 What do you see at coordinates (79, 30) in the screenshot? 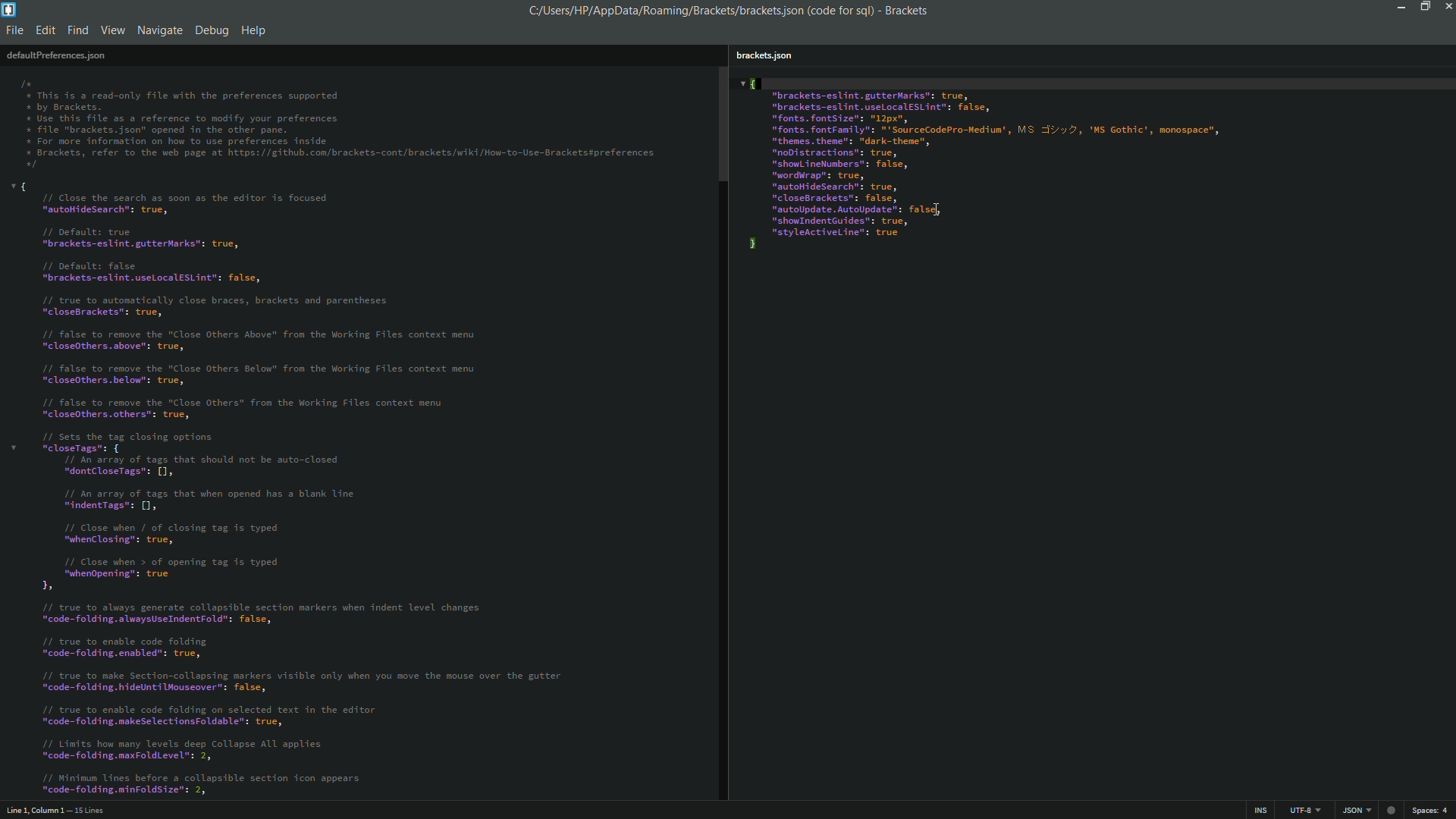
I see `find menu` at bounding box center [79, 30].